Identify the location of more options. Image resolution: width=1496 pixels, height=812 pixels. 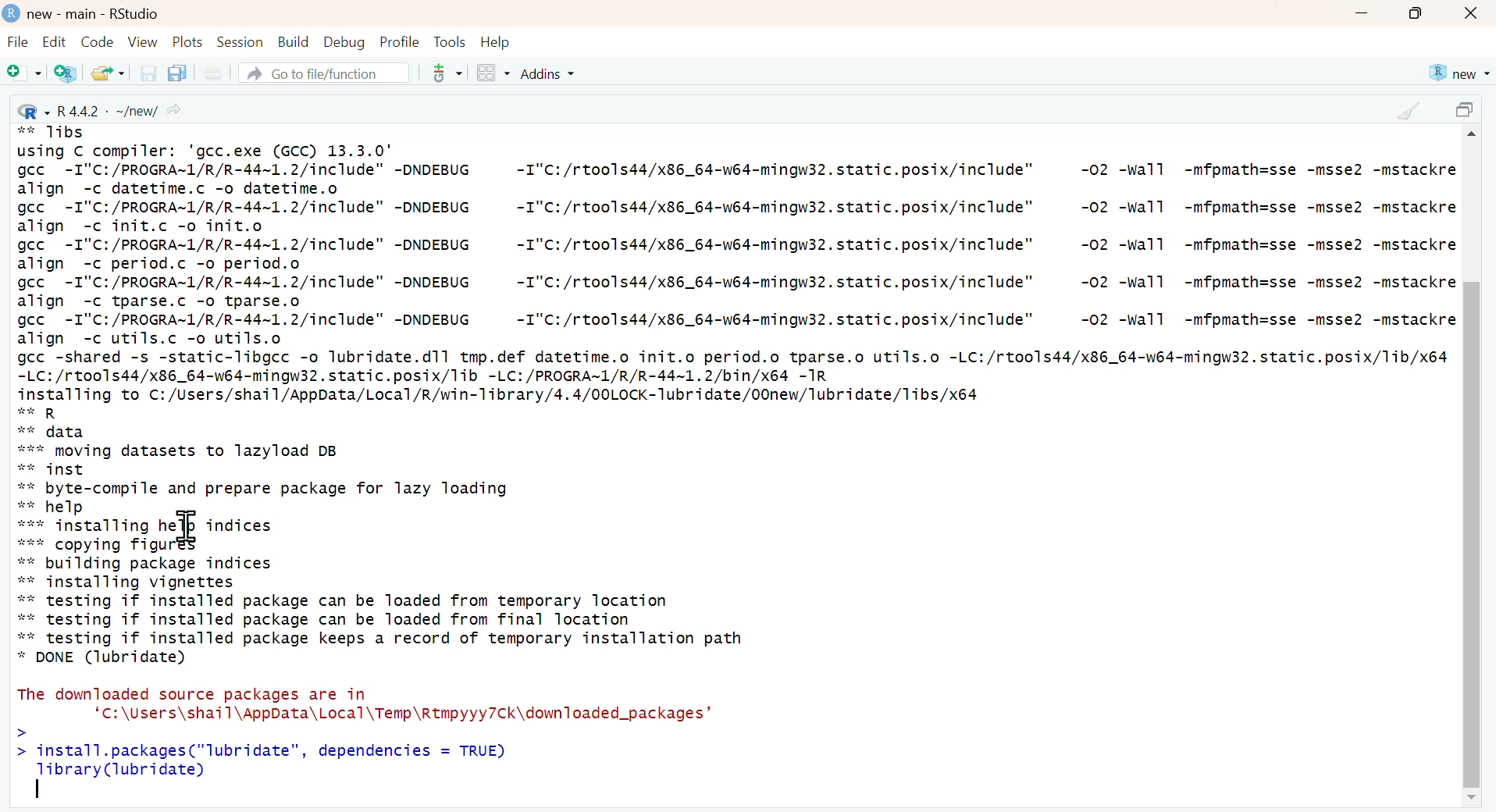
(442, 73).